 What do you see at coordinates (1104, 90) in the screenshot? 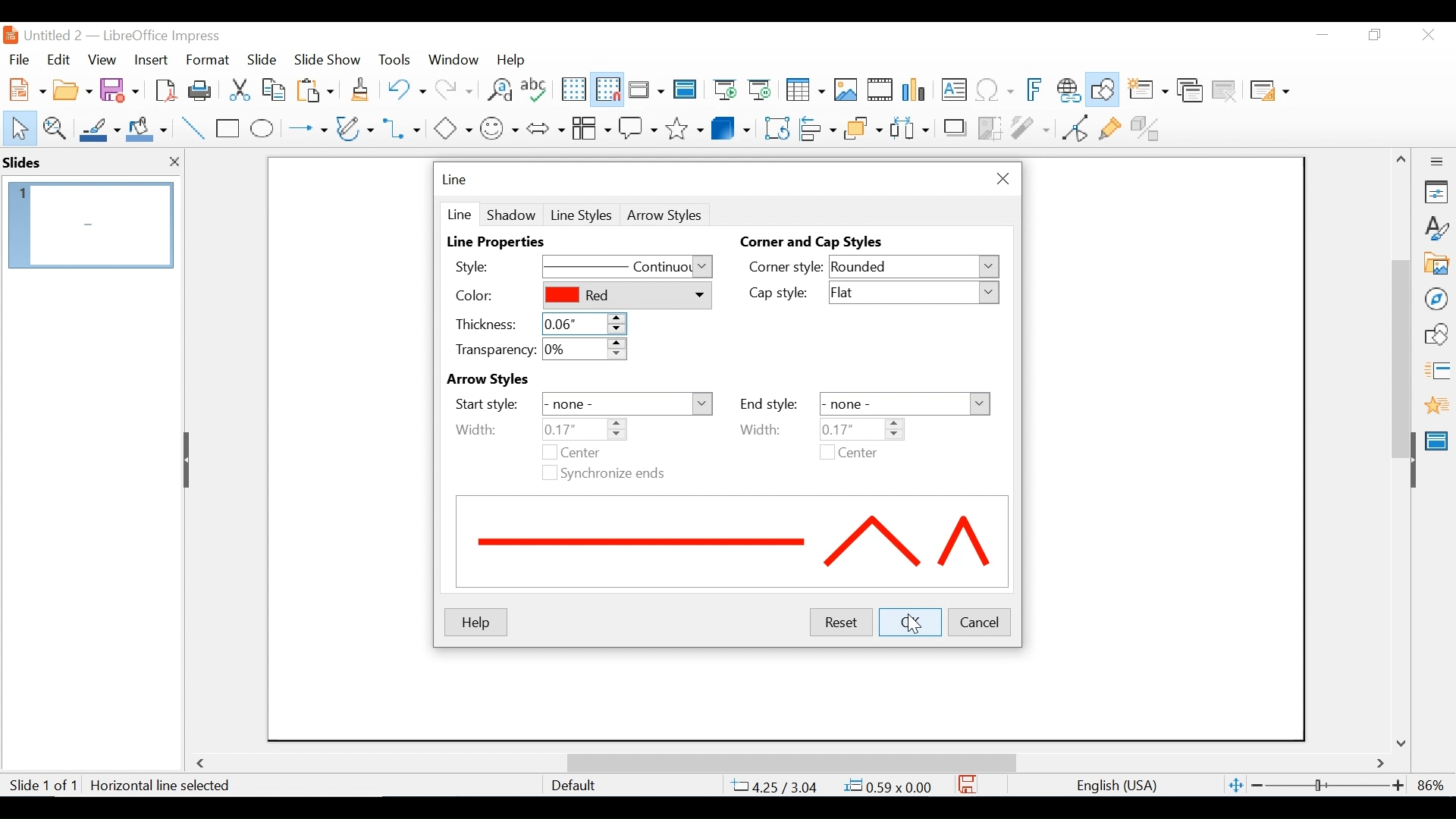
I see `Show Draw Functions` at bounding box center [1104, 90].